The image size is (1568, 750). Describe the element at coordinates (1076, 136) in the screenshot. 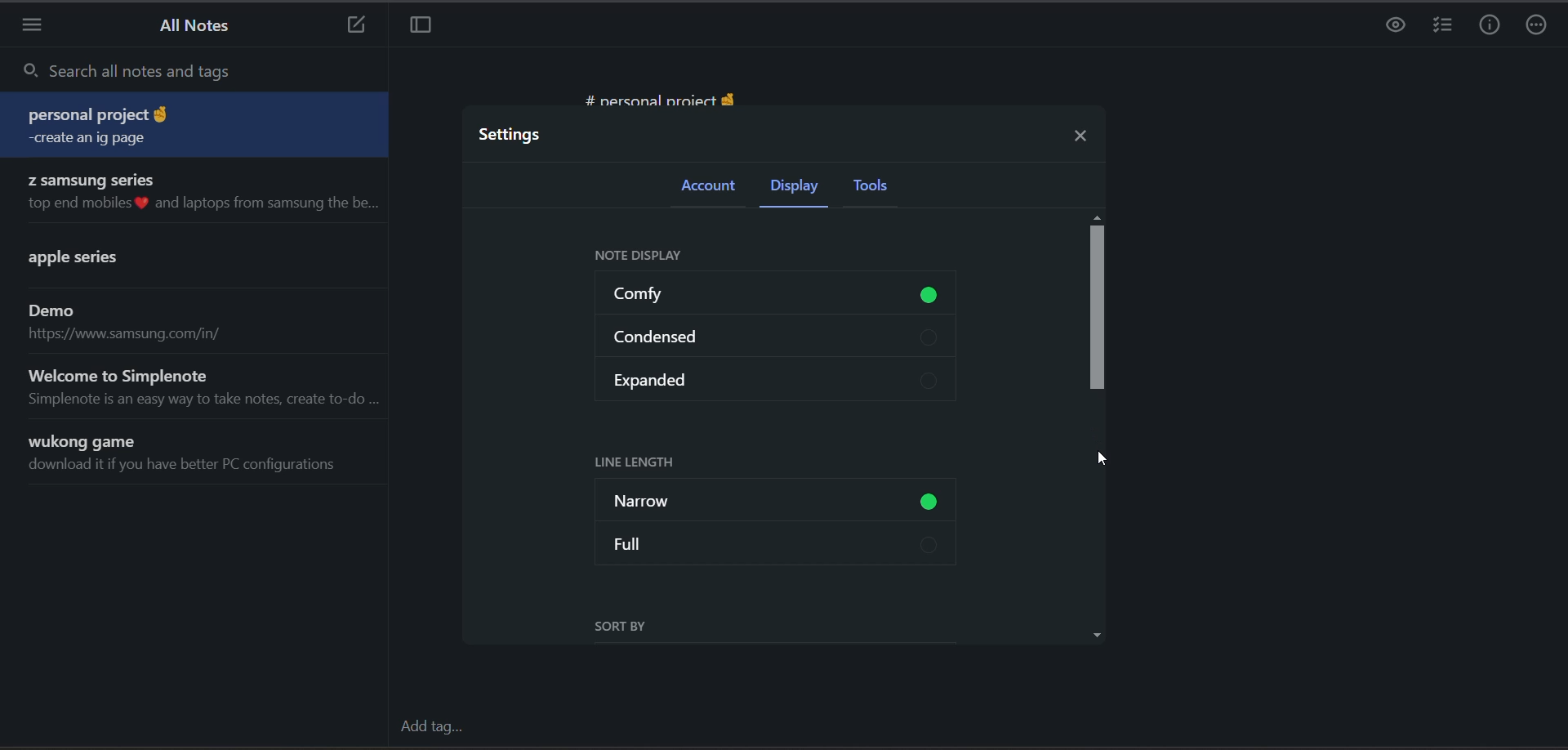

I see `close` at that location.